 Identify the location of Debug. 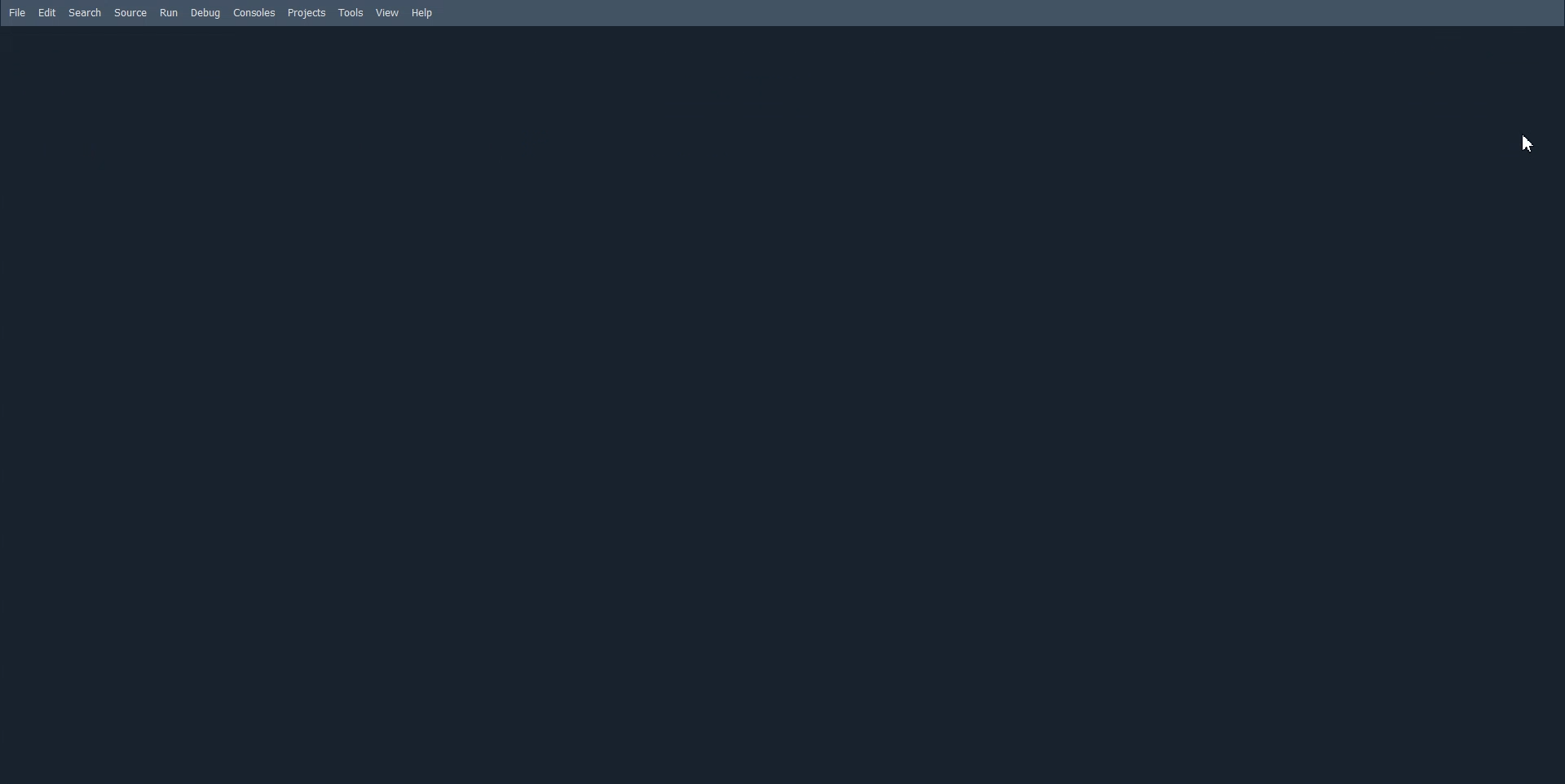
(204, 13).